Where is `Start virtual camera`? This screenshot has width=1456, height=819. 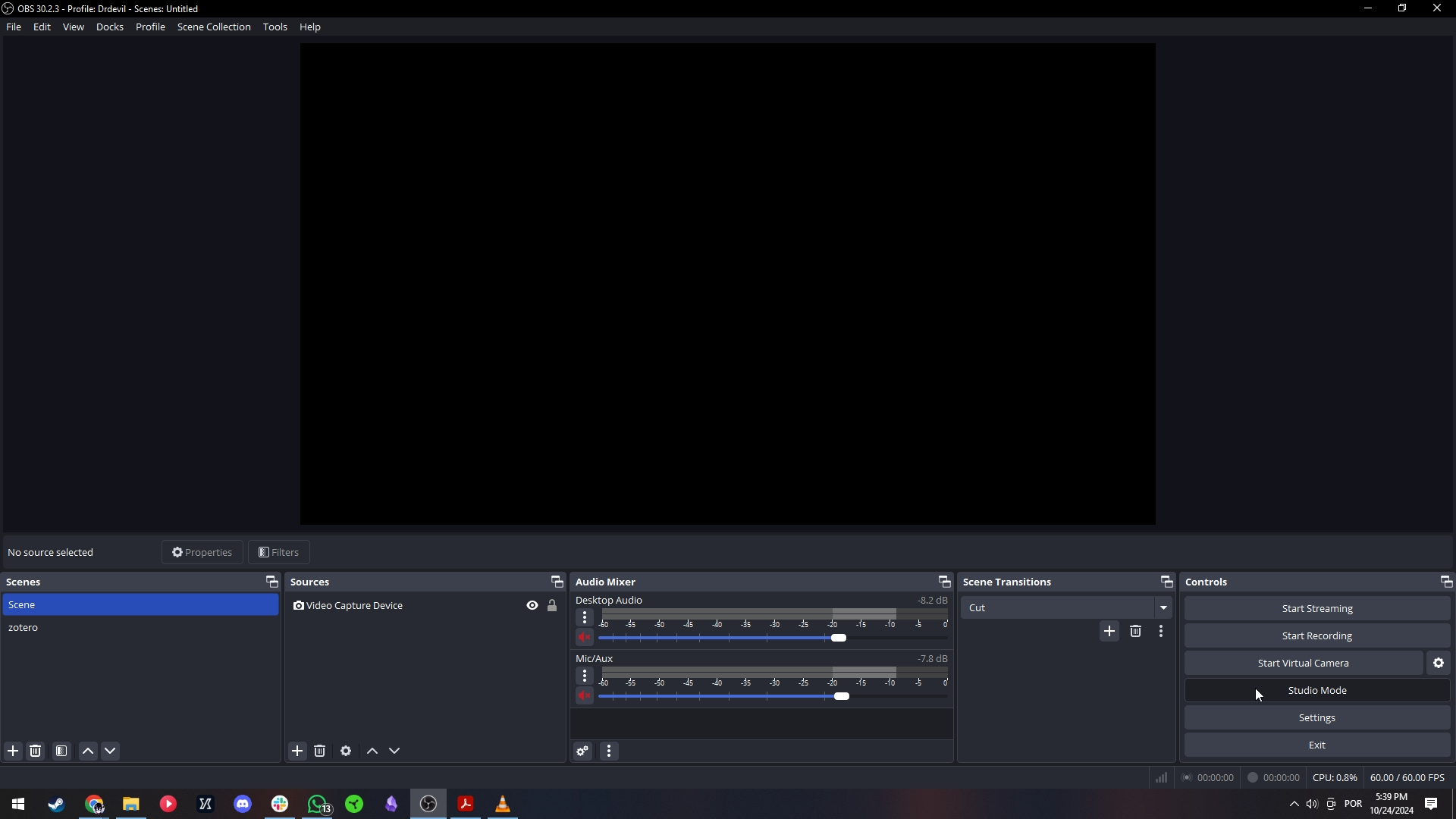
Start virtual camera is located at coordinates (1304, 662).